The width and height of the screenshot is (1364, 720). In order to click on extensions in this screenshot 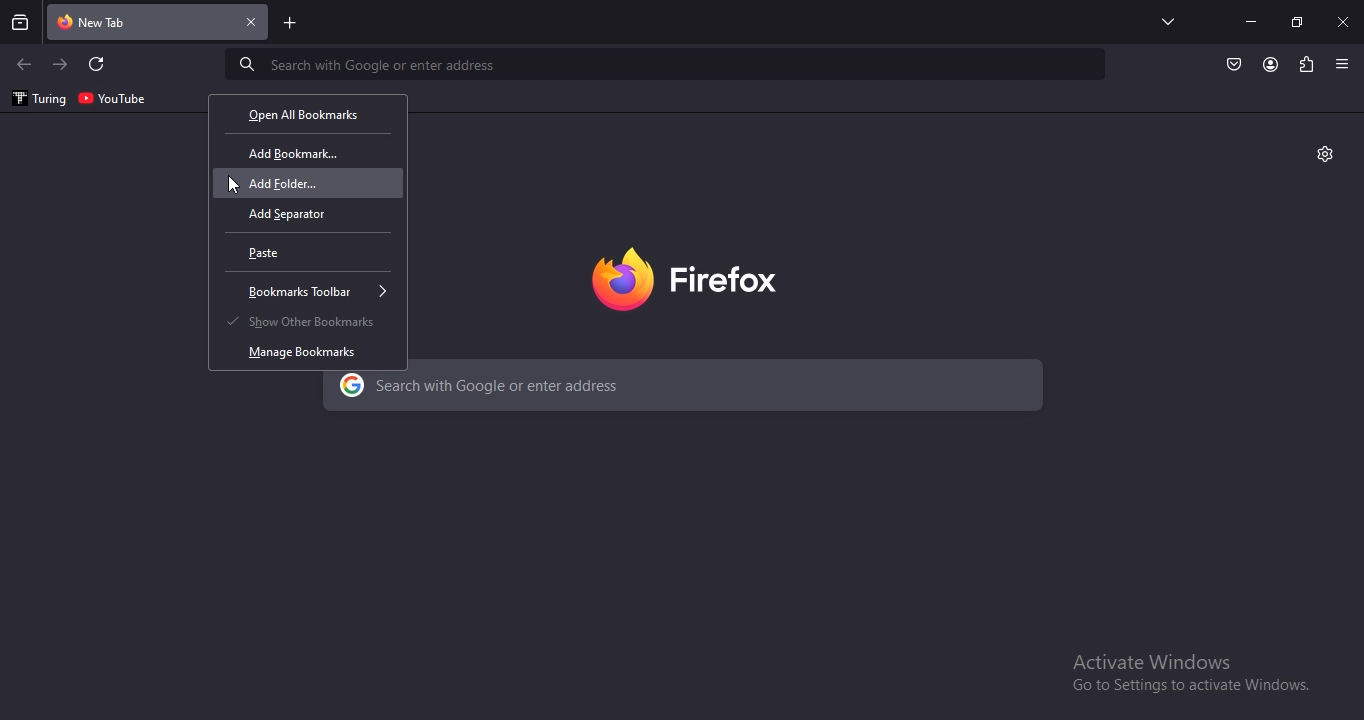, I will do `click(1306, 65)`.